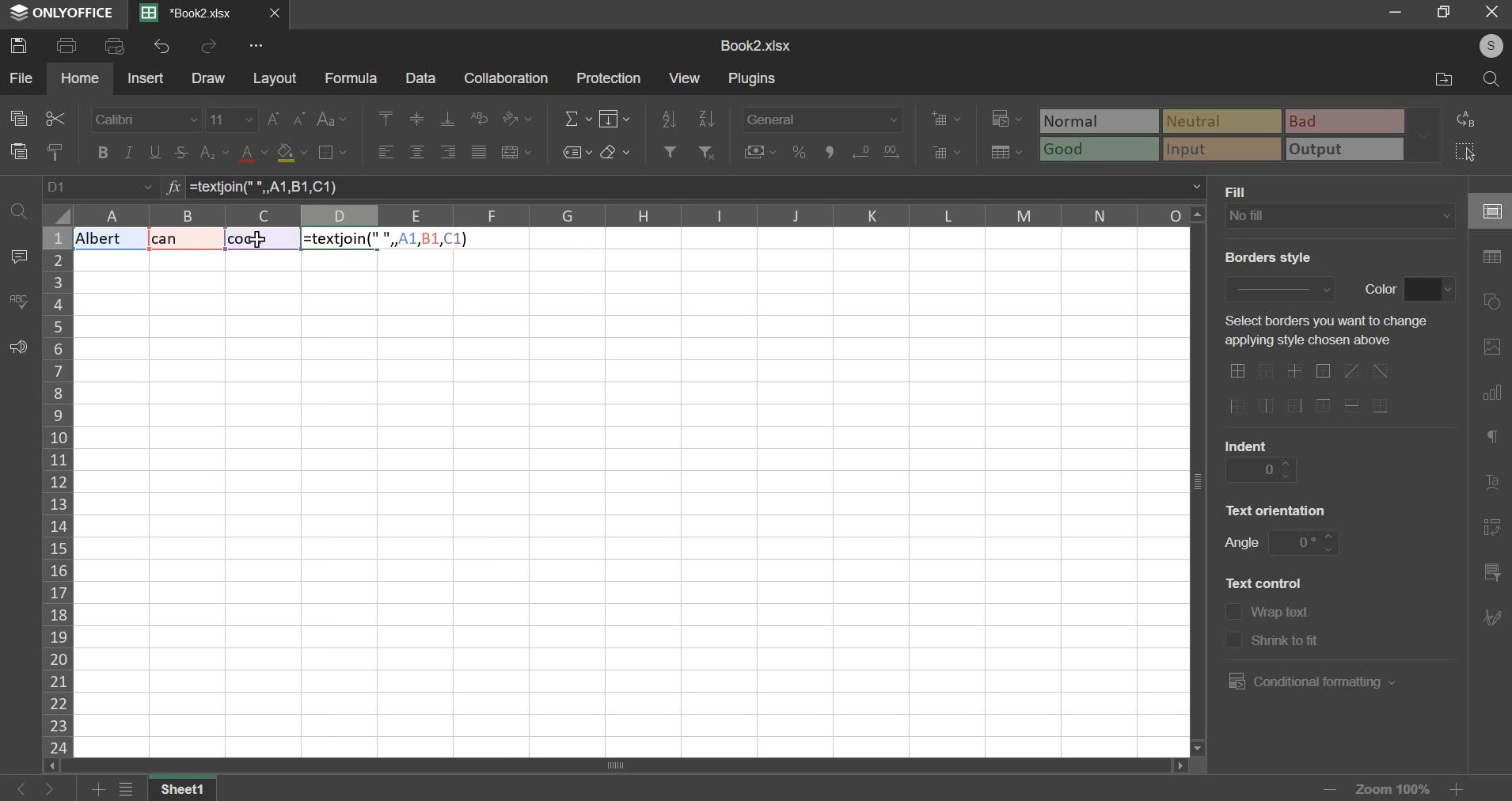 Image resolution: width=1512 pixels, height=801 pixels. I want to click on pivot table, so click(1492, 529).